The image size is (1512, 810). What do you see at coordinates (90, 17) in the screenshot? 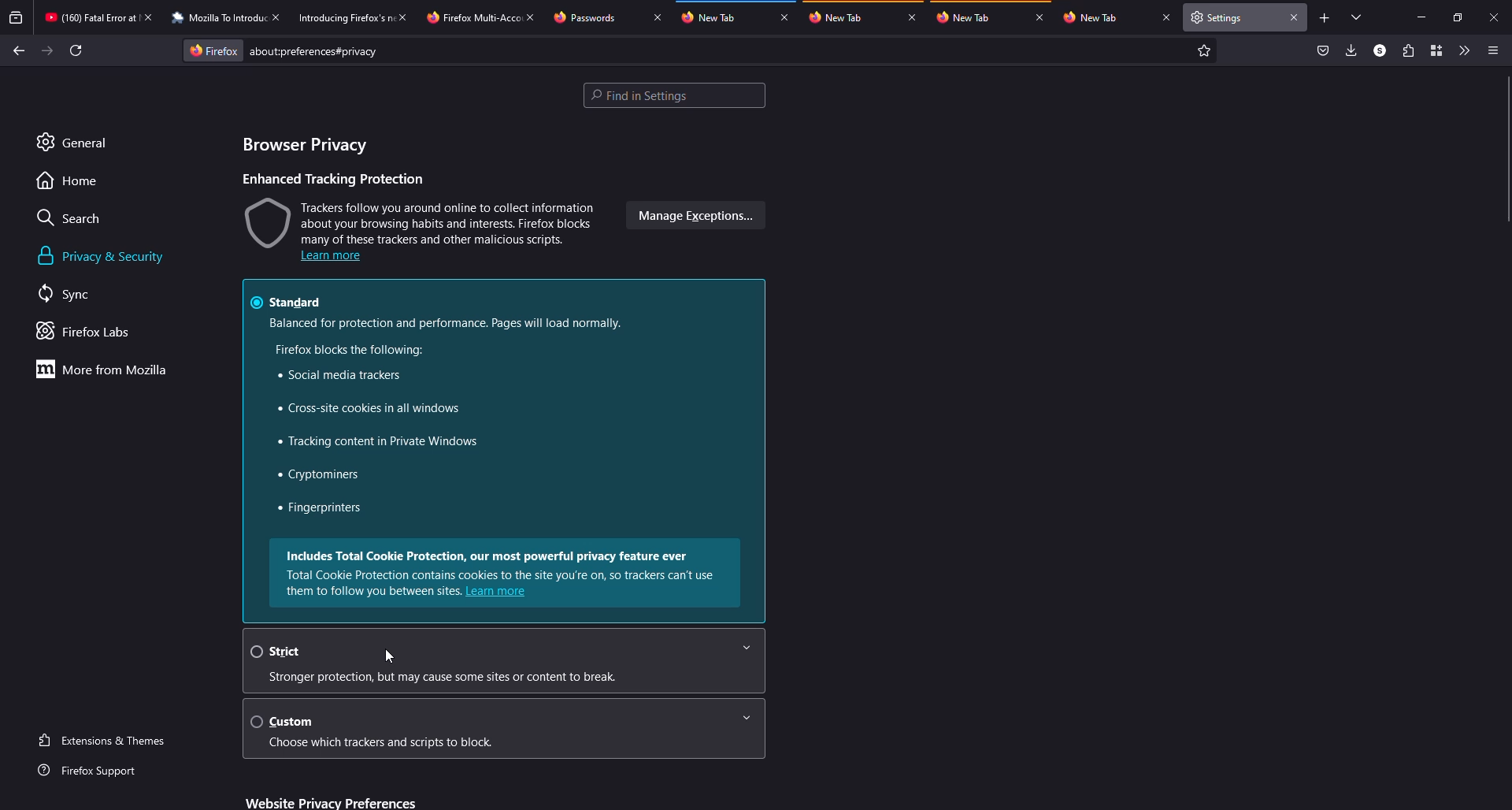
I see `tab` at bounding box center [90, 17].